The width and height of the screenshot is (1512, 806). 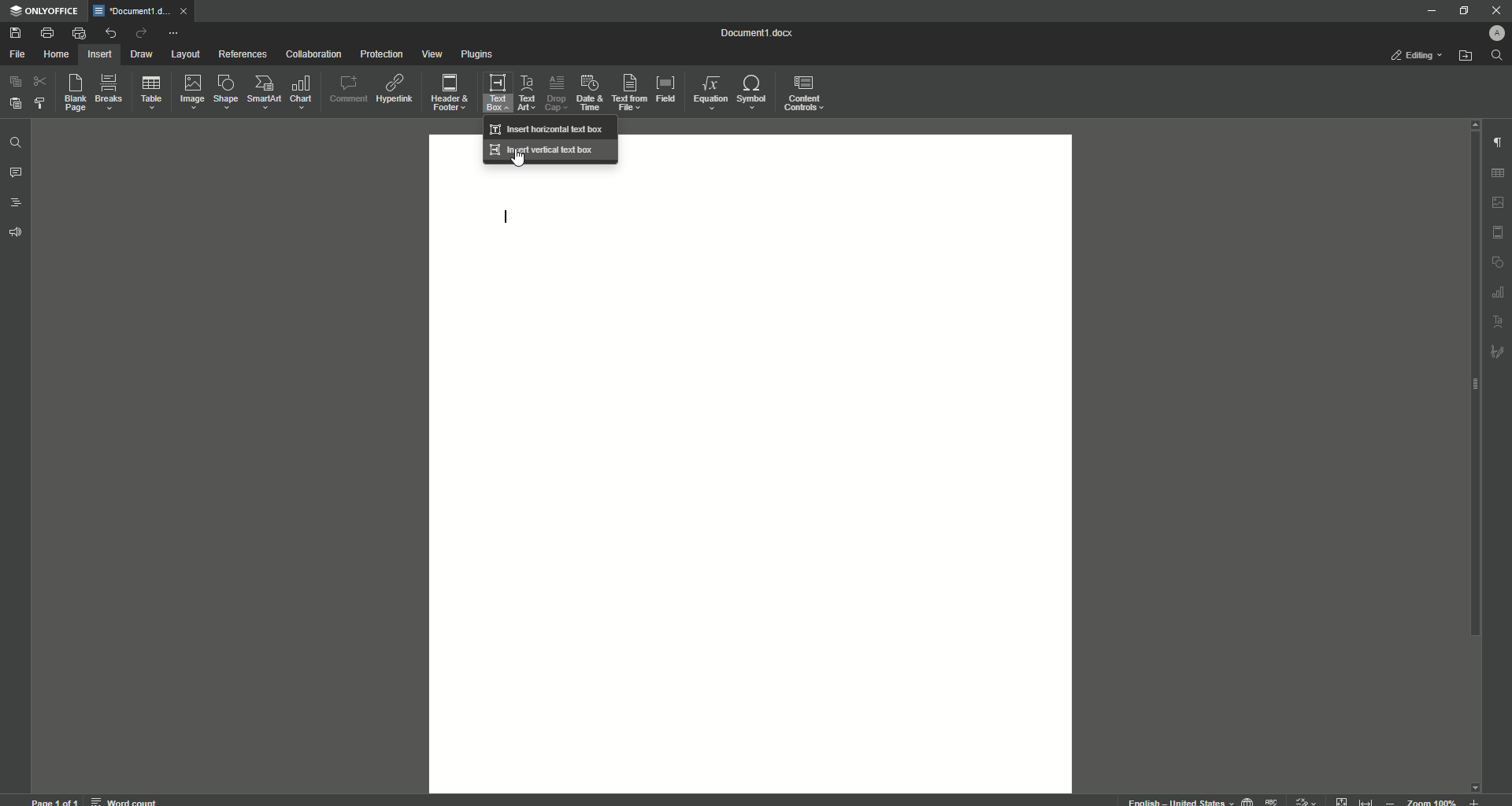 What do you see at coordinates (706, 91) in the screenshot?
I see `Equation` at bounding box center [706, 91].